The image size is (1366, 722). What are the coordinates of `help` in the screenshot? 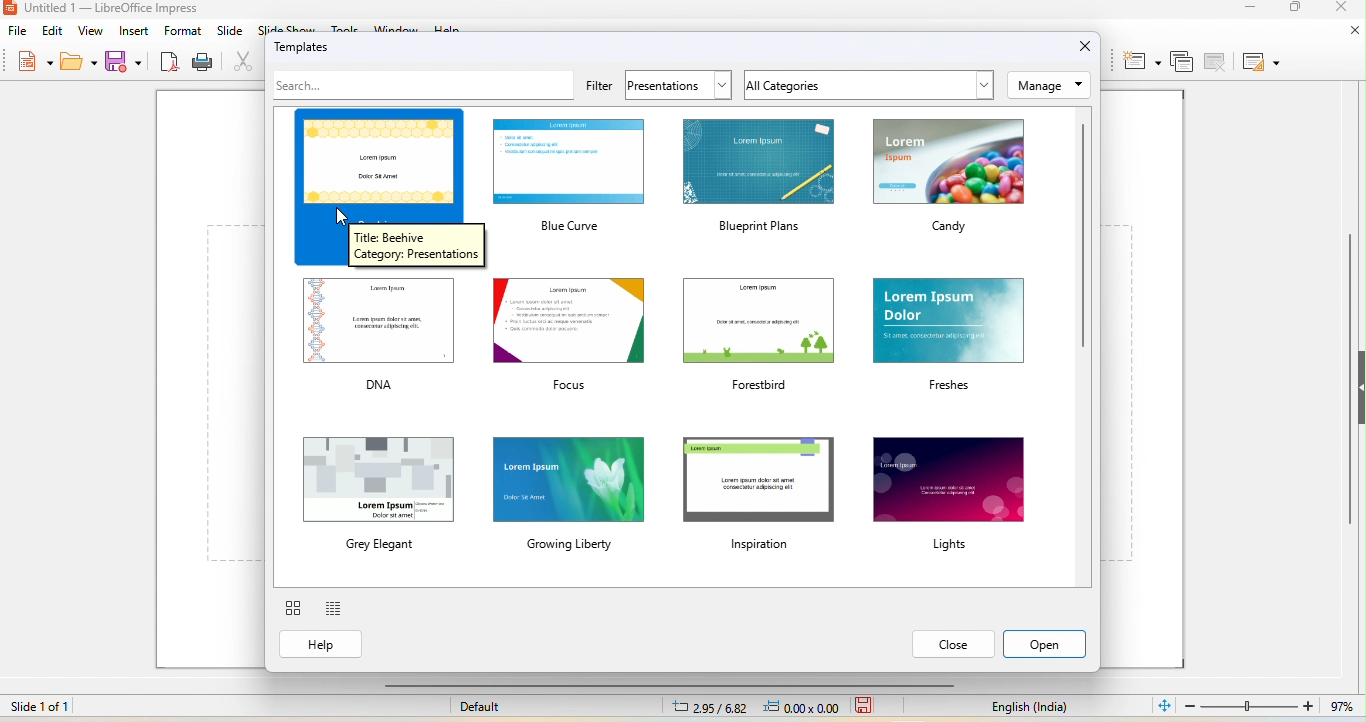 It's located at (321, 644).